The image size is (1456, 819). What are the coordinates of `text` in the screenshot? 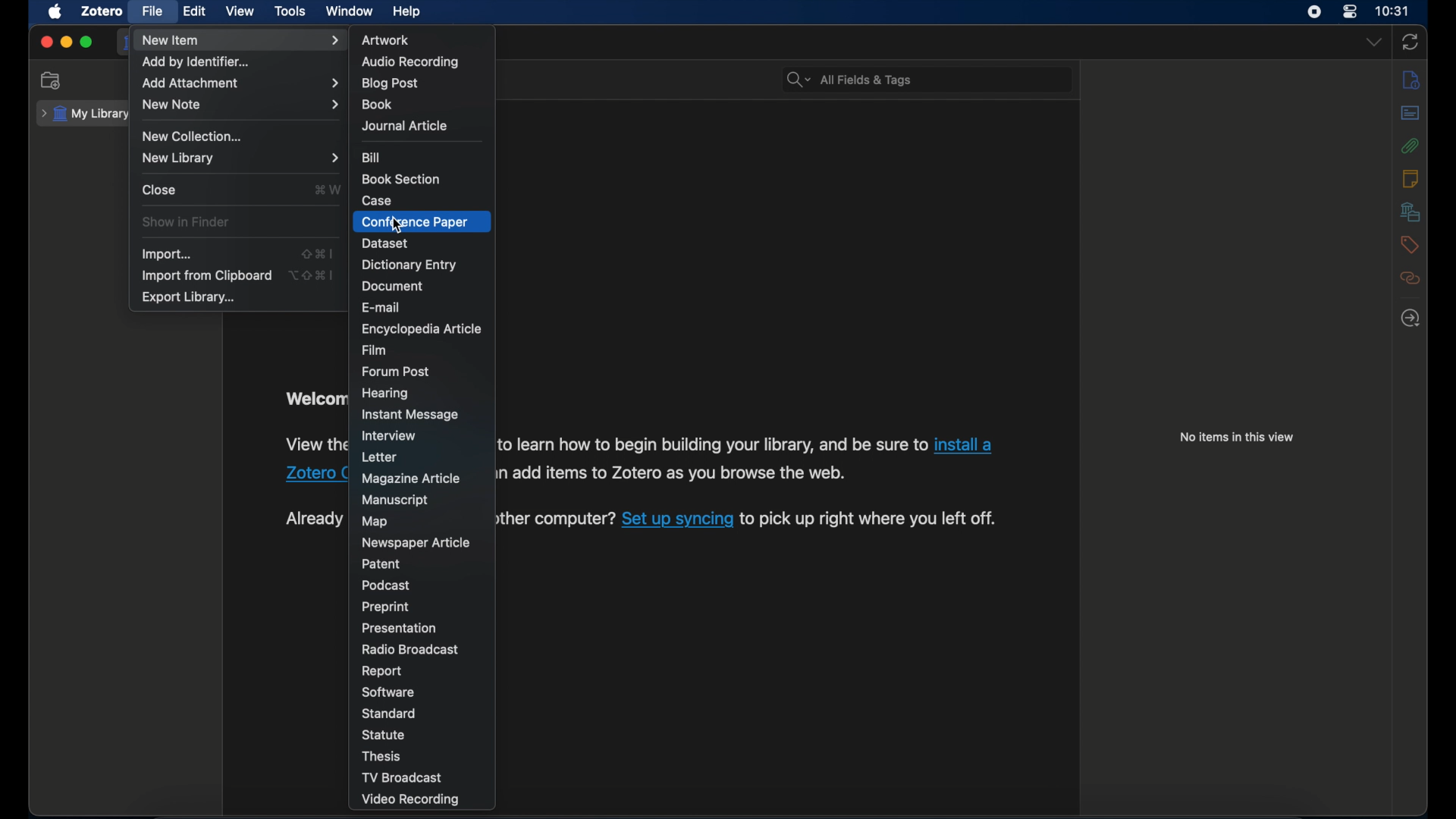 It's located at (551, 518).